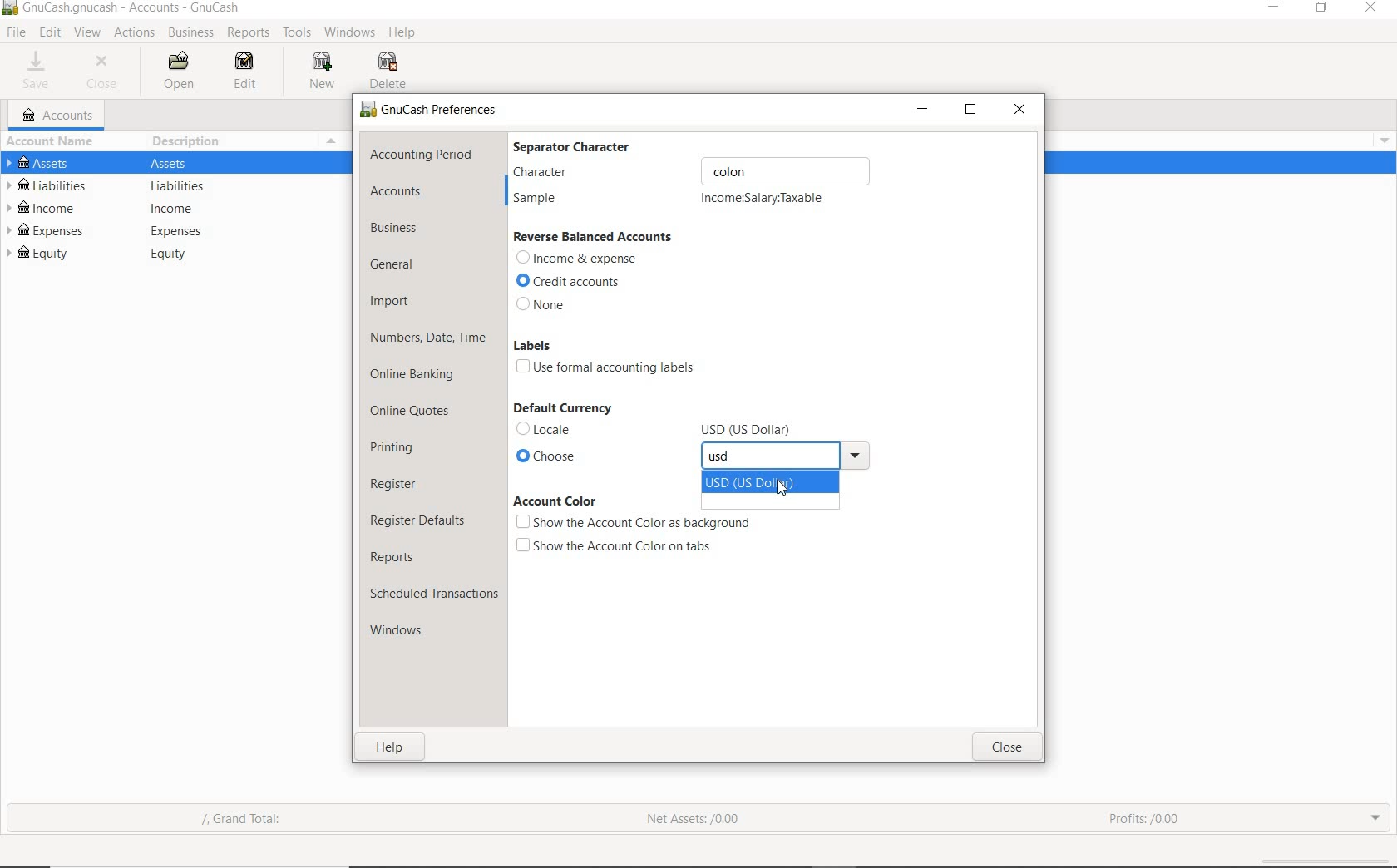 Image resolution: width=1397 pixels, height=868 pixels. What do you see at coordinates (394, 446) in the screenshot?
I see `printing` at bounding box center [394, 446].